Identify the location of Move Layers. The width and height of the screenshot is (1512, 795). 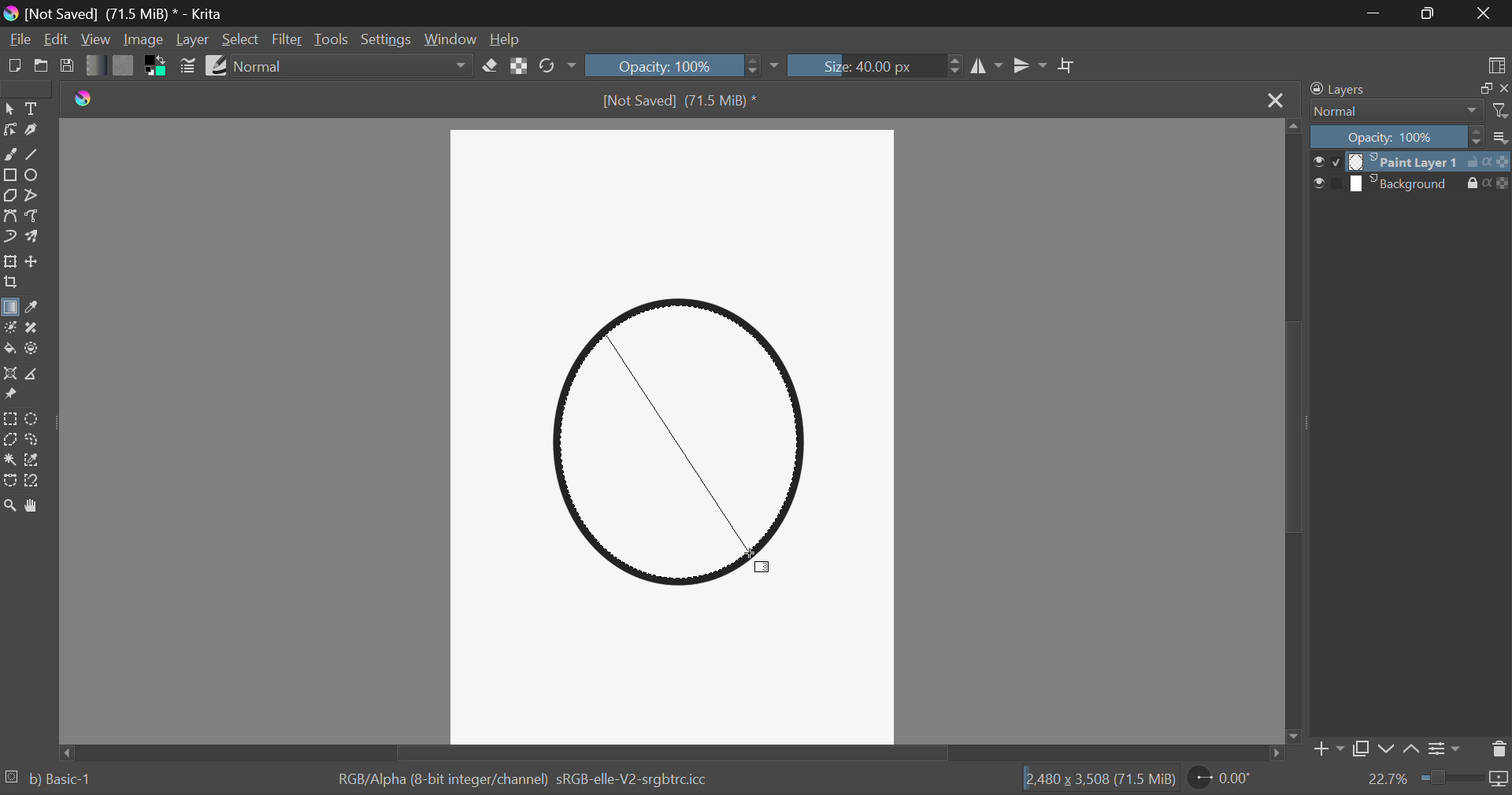
(35, 264).